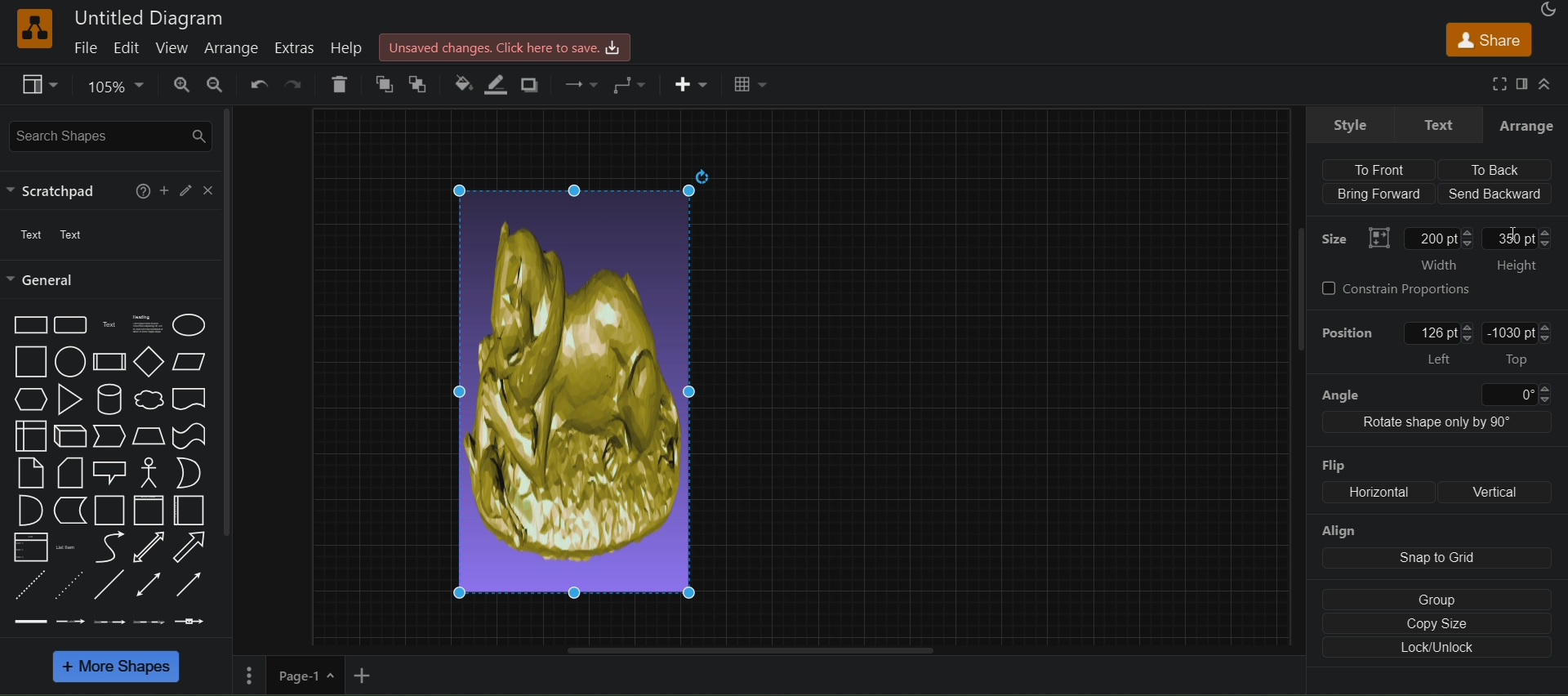  I want to click on page 1, so click(307, 676).